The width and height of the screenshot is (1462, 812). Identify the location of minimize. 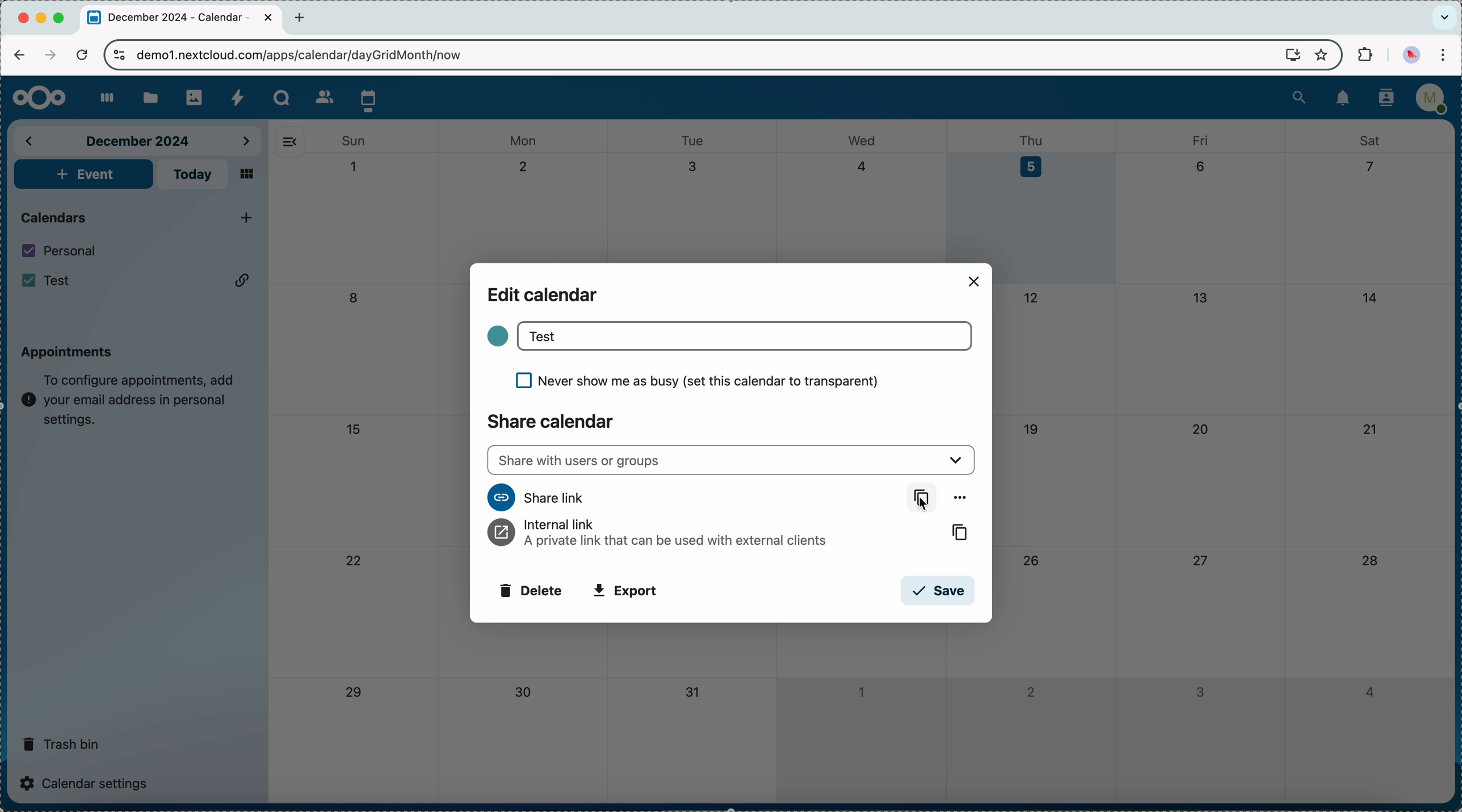
(43, 19).